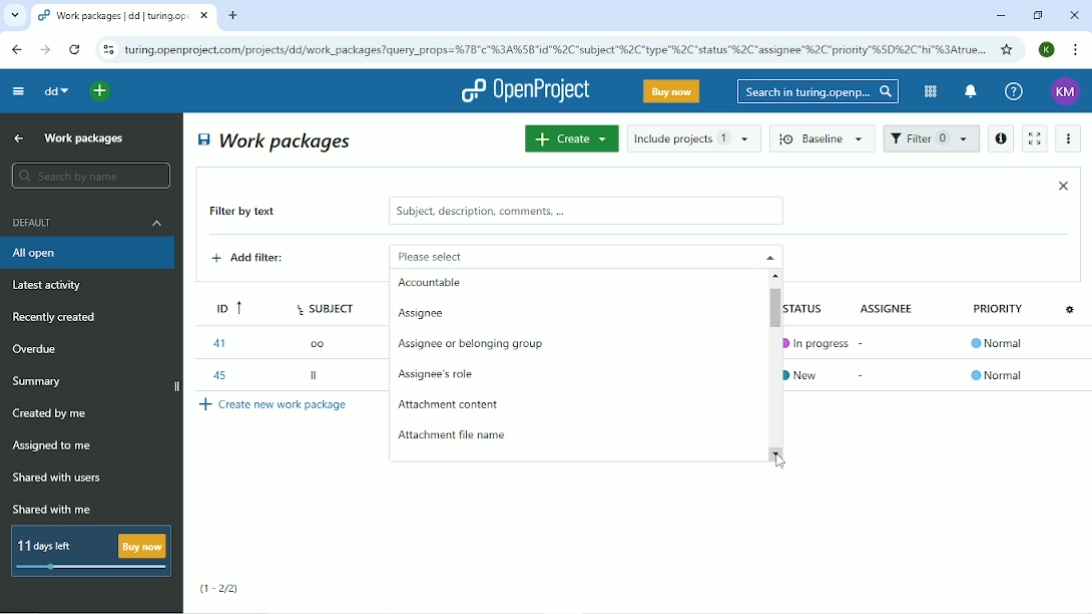 The height and width of the screenshot is (614, 1092). Describe the element at coordinates (217, 373) in the screenshot. I see `45` at that location.